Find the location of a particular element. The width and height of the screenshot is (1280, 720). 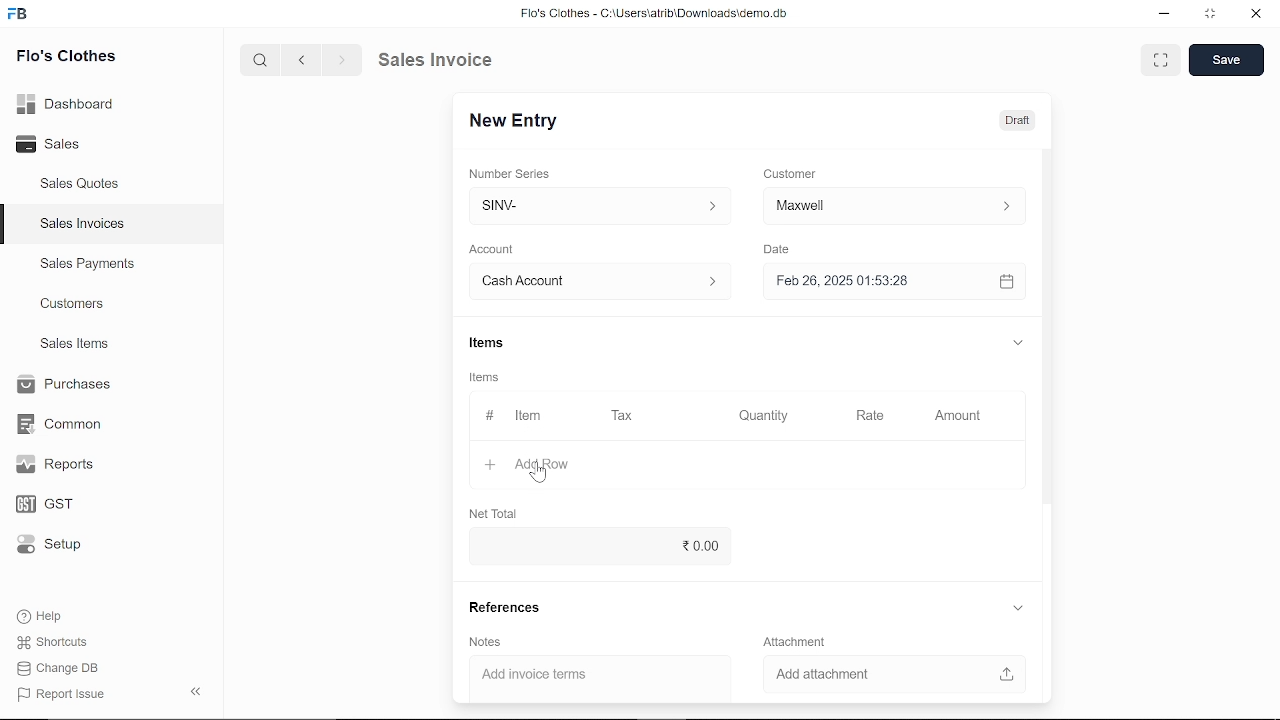

Account is located at coordinates (497, 250).